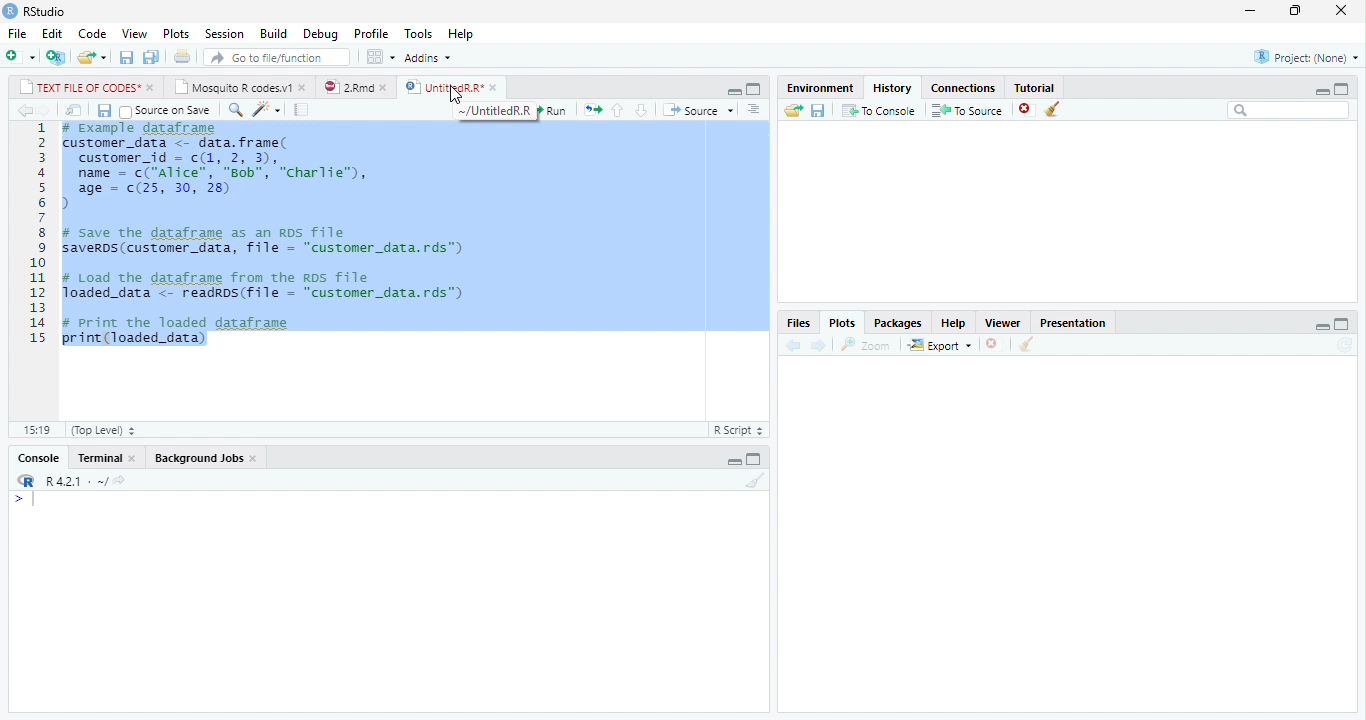 Image resolution: width=1366 pixels, height=720 pixels. I want to click on Source, so click(700, 111).